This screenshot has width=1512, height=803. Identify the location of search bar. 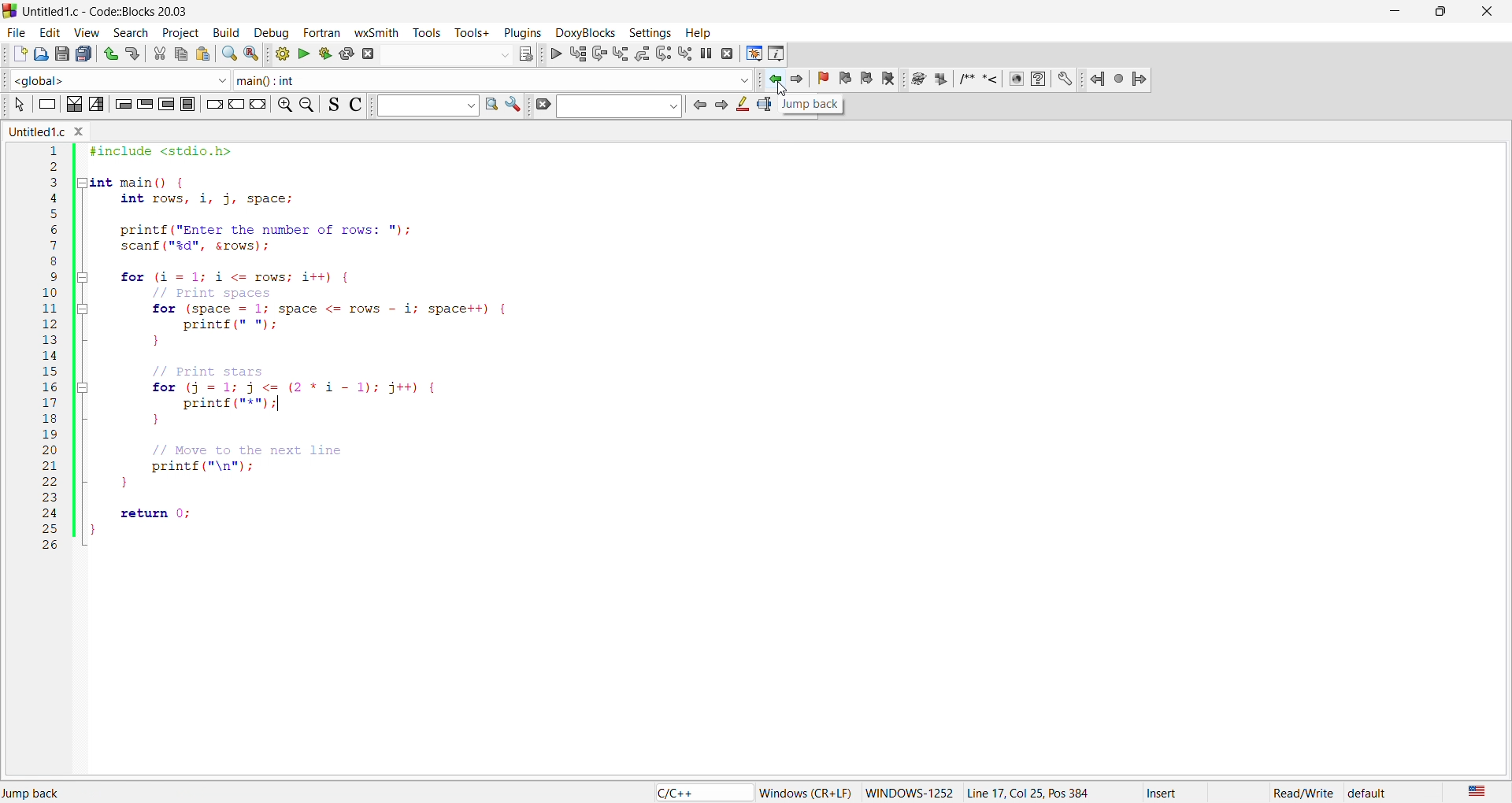
(607, 106).